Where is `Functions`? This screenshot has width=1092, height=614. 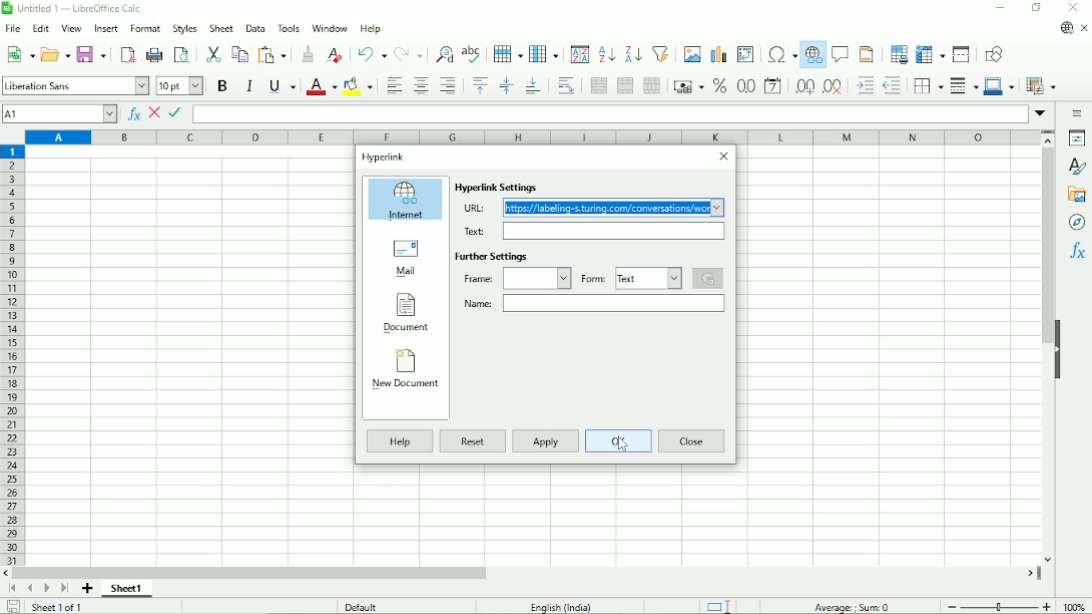
Functions is located at coordinates (1077, 251).